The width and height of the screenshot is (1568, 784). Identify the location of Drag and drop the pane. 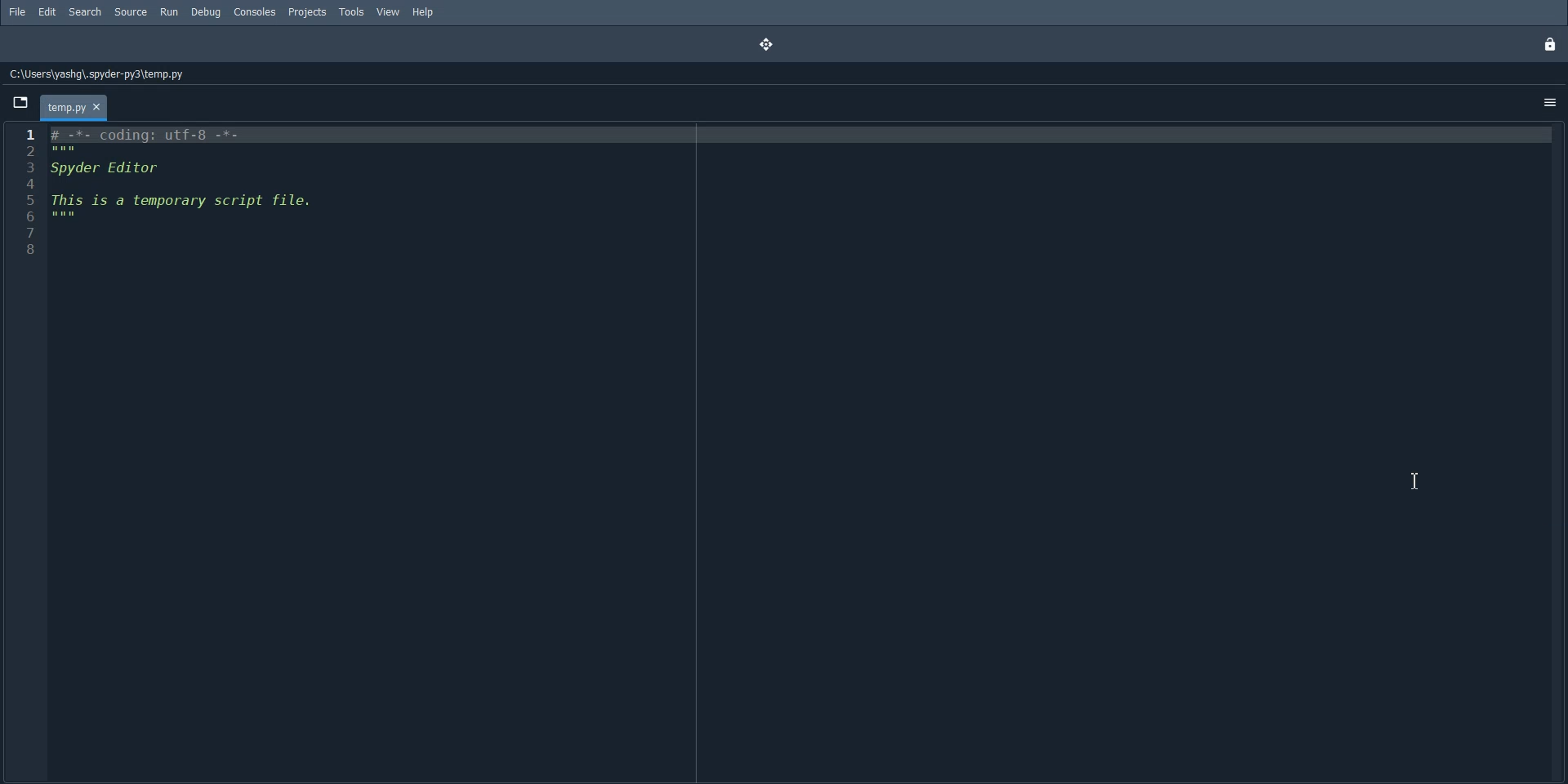
(769, 45).